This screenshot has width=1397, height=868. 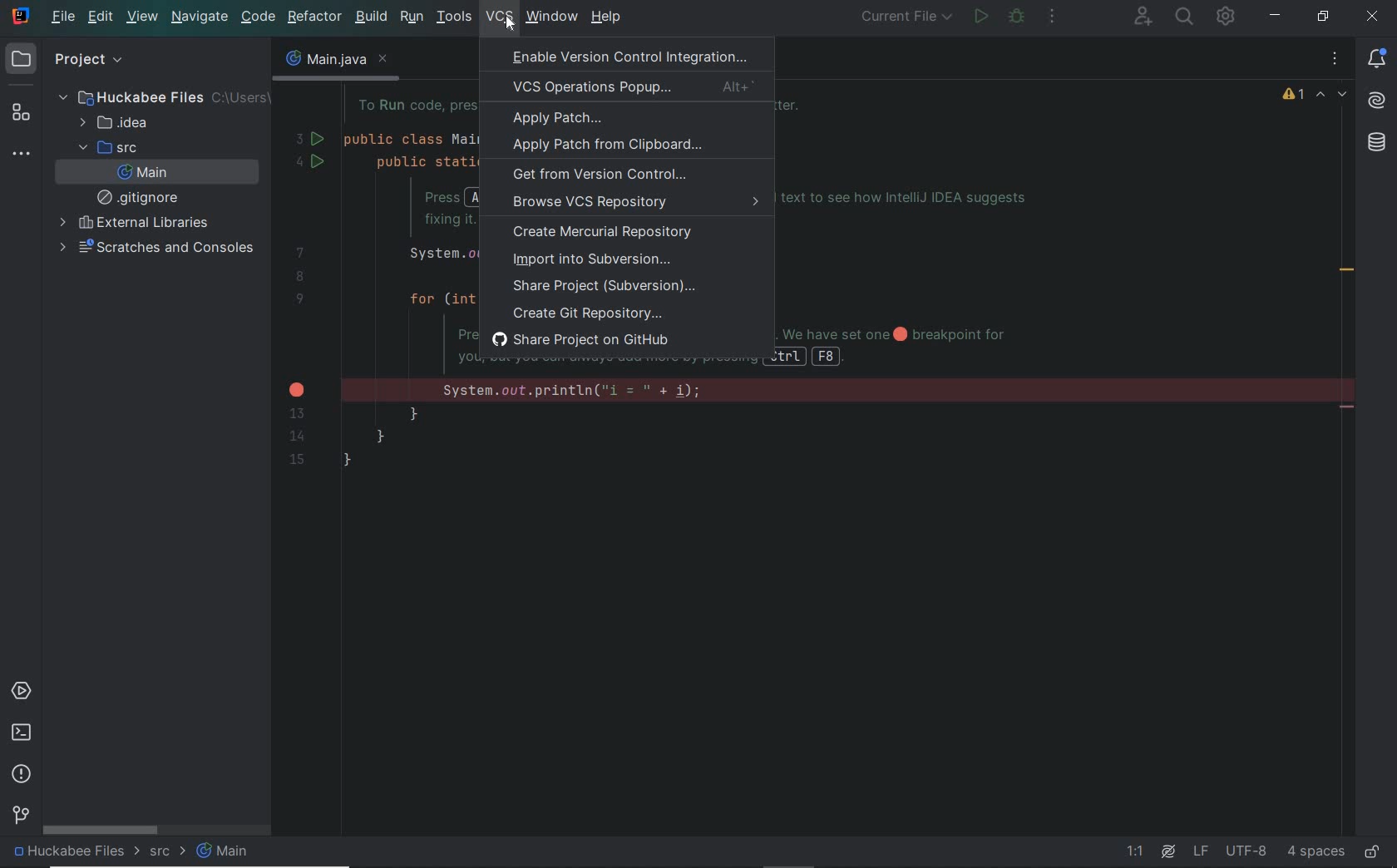 I want to click on file, so click(x=63, y=19).